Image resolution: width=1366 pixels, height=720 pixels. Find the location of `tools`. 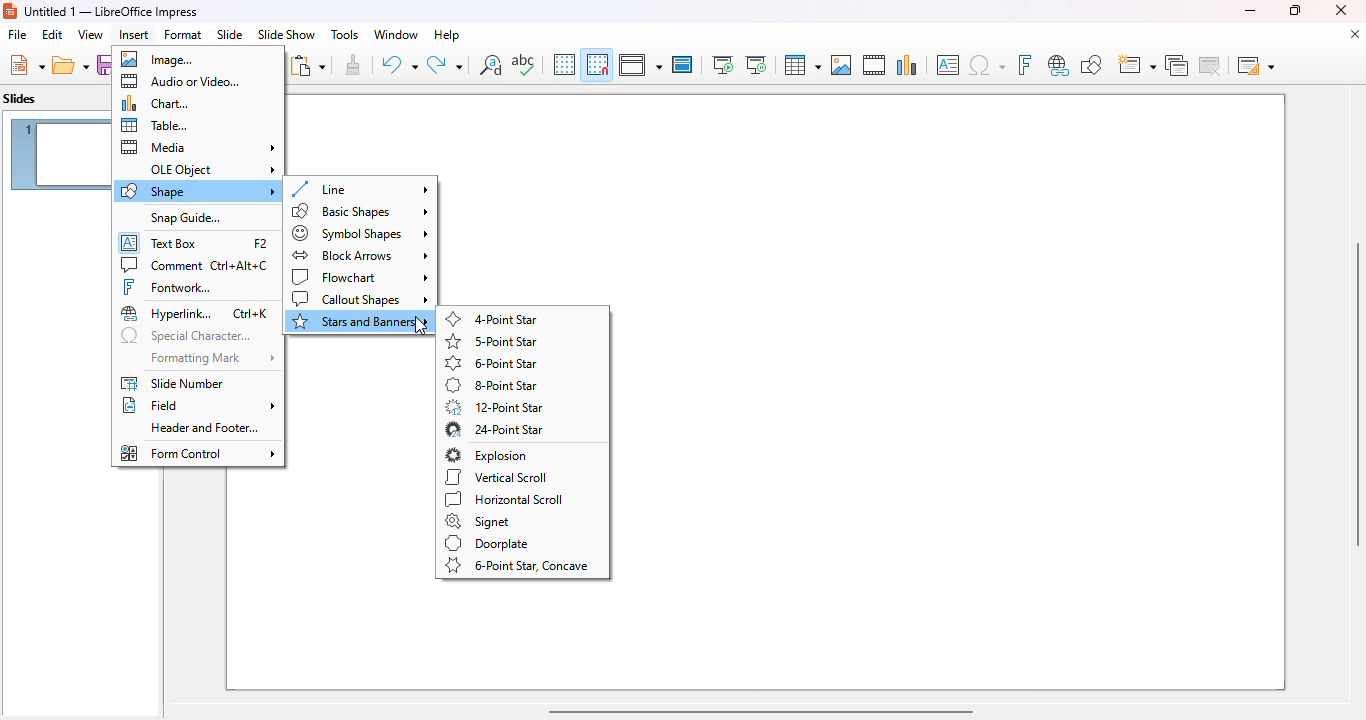

tools is located at coordinates (344, 34).